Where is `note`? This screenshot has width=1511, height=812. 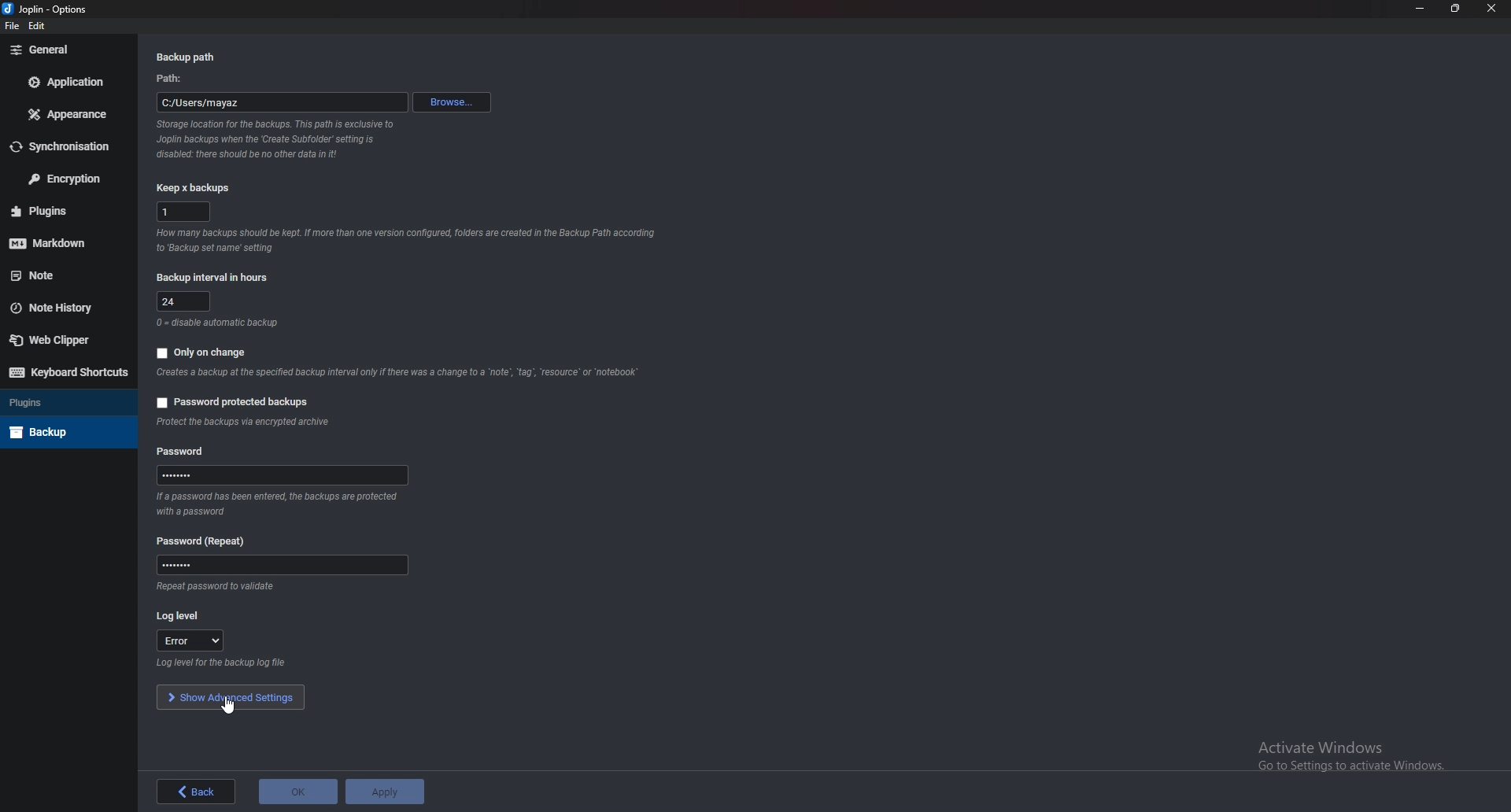
note is located at coordinates (62, 275).